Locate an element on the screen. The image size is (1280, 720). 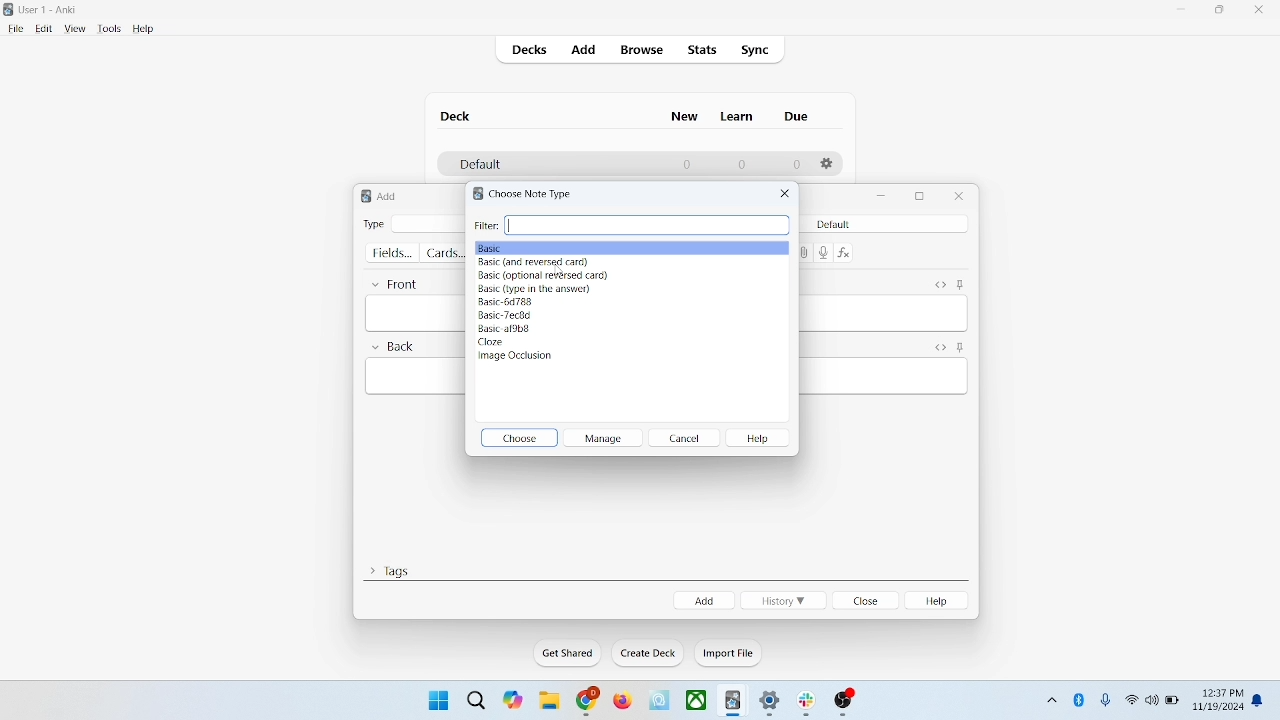
default is located at coordinates (854, 224).